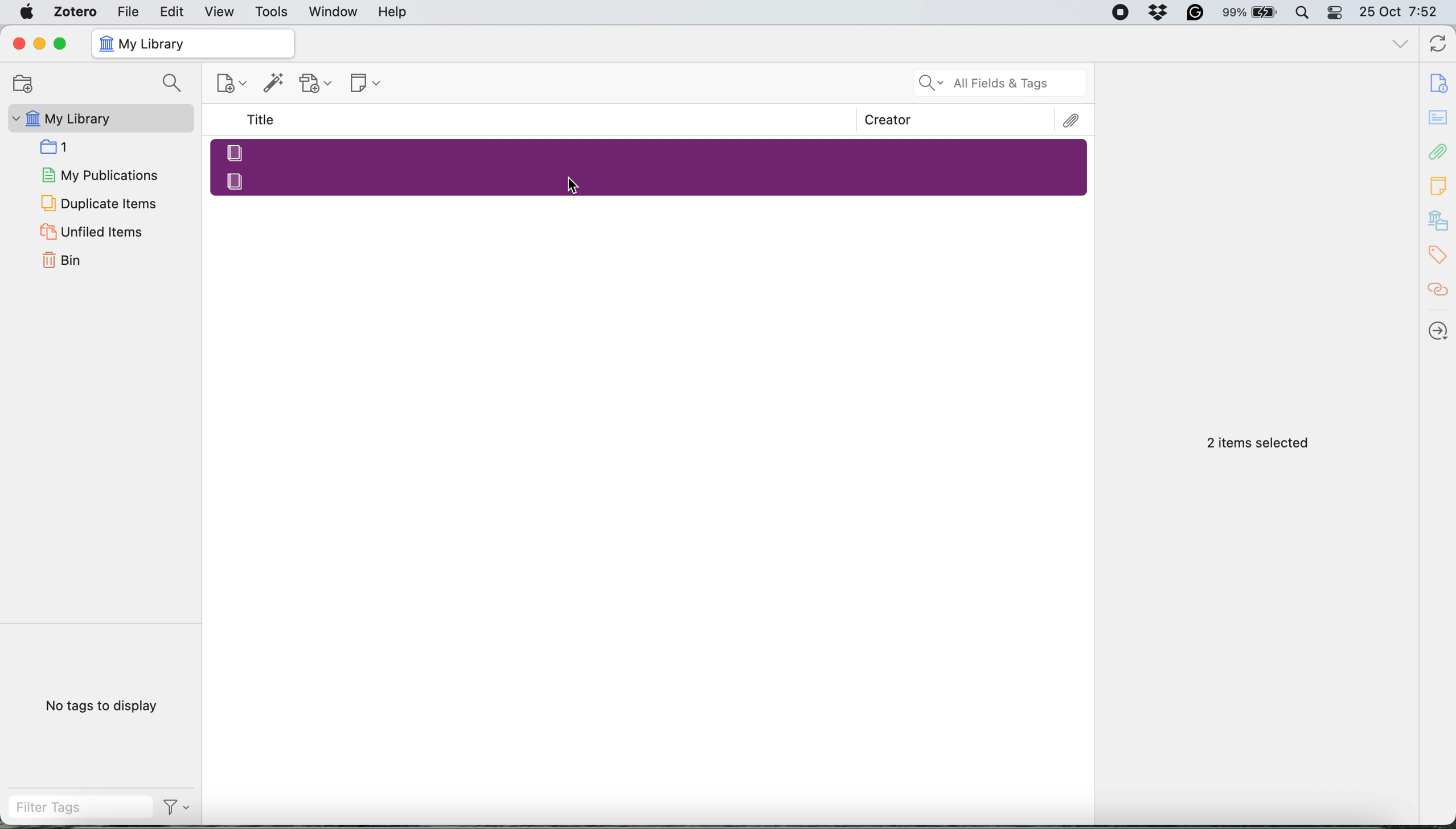  What do you see at coordinates (1001, 83) in the screenshot?
I see `All Fields & Tags` at bounding box center [1001, 83].